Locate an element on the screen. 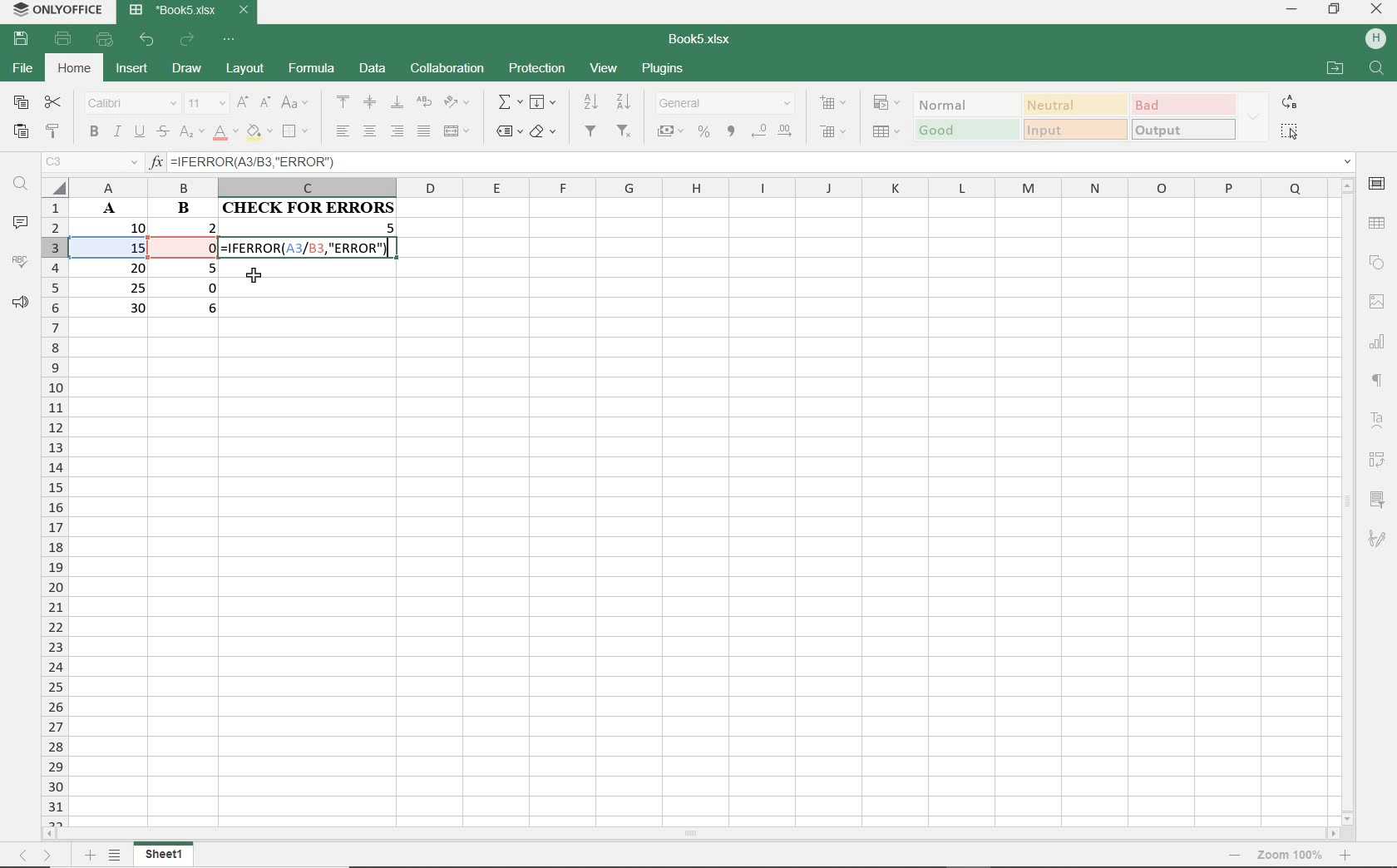  PIVOT TABLE is located at coordinates (1375, 461).